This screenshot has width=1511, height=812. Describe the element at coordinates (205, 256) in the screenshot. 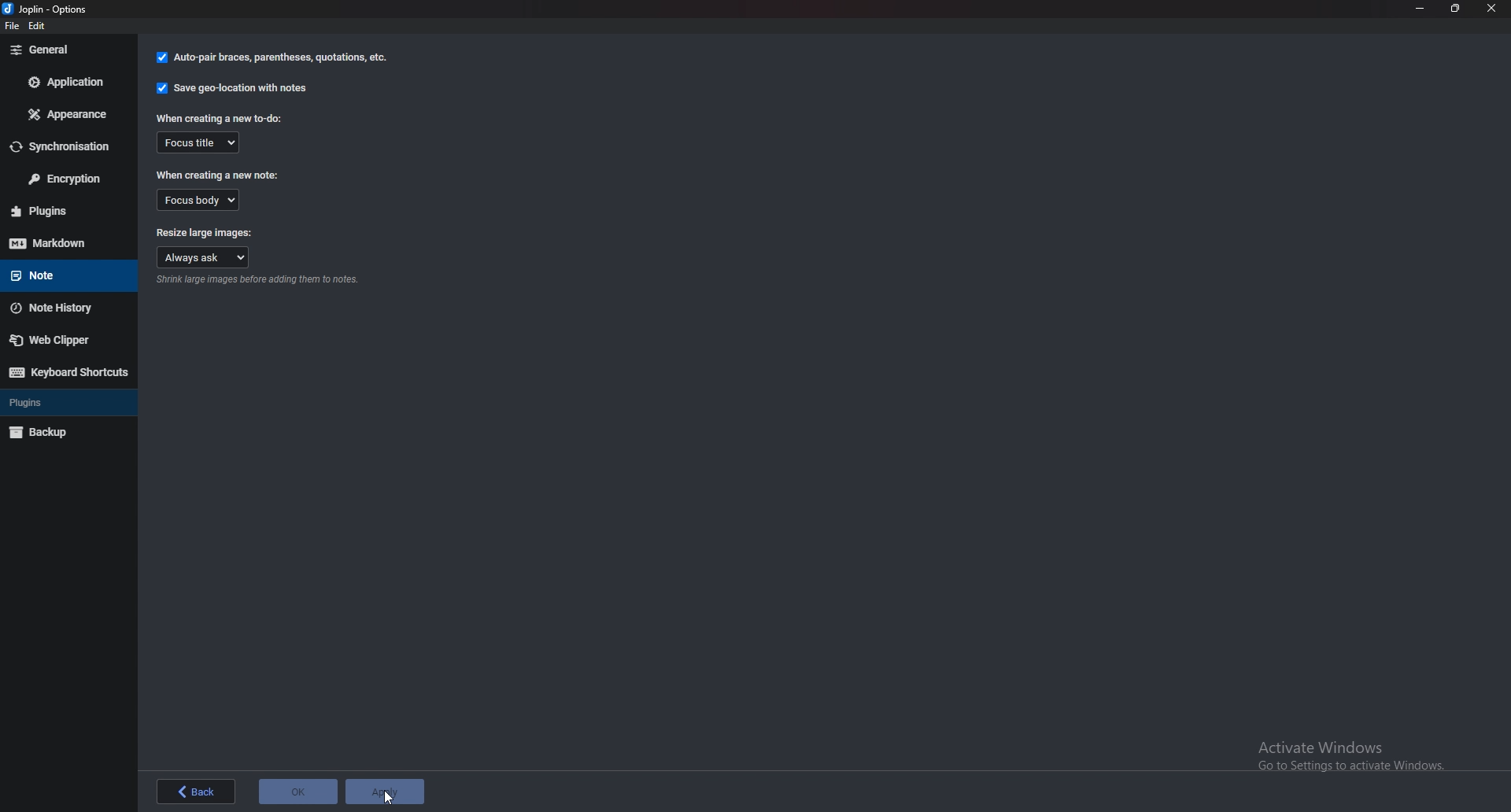

I see `always ask` at that location.